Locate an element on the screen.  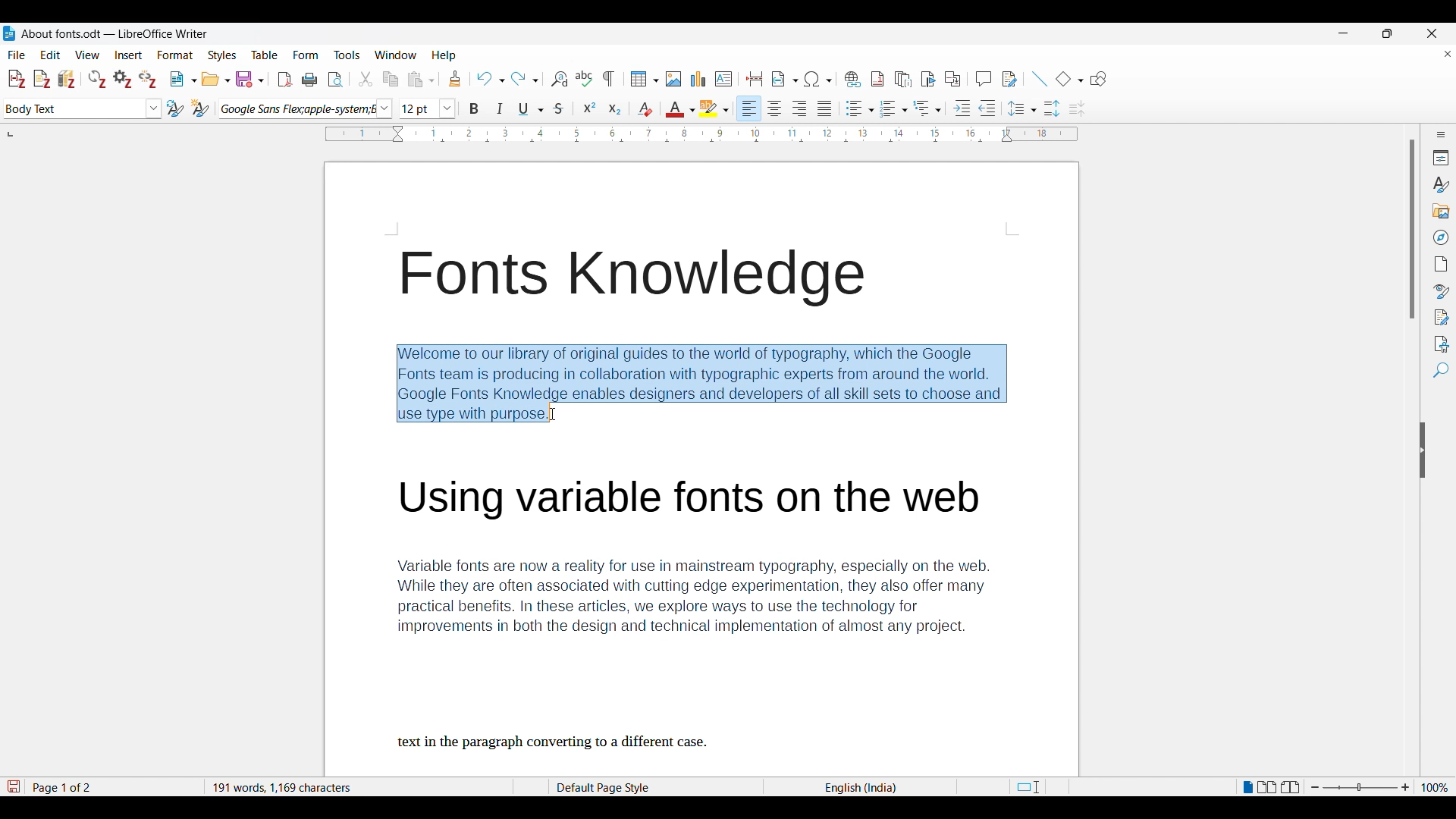
Font knowledge is located at coordinates (639, 279).